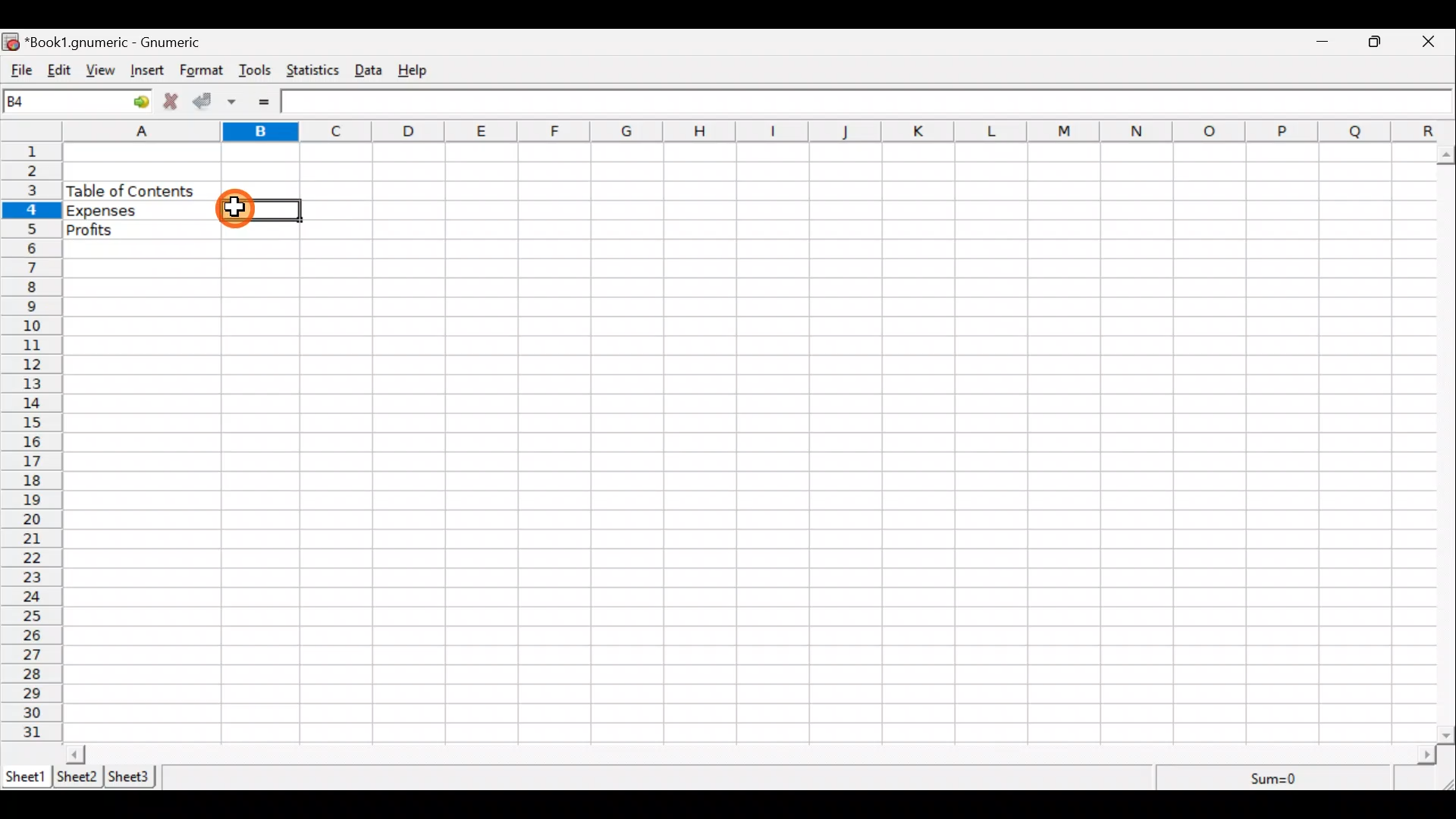 This screenshot has height=819, width=1456. Describe the element at coordinates (136, 232) in the screenshot. I see `Profits` at that location.